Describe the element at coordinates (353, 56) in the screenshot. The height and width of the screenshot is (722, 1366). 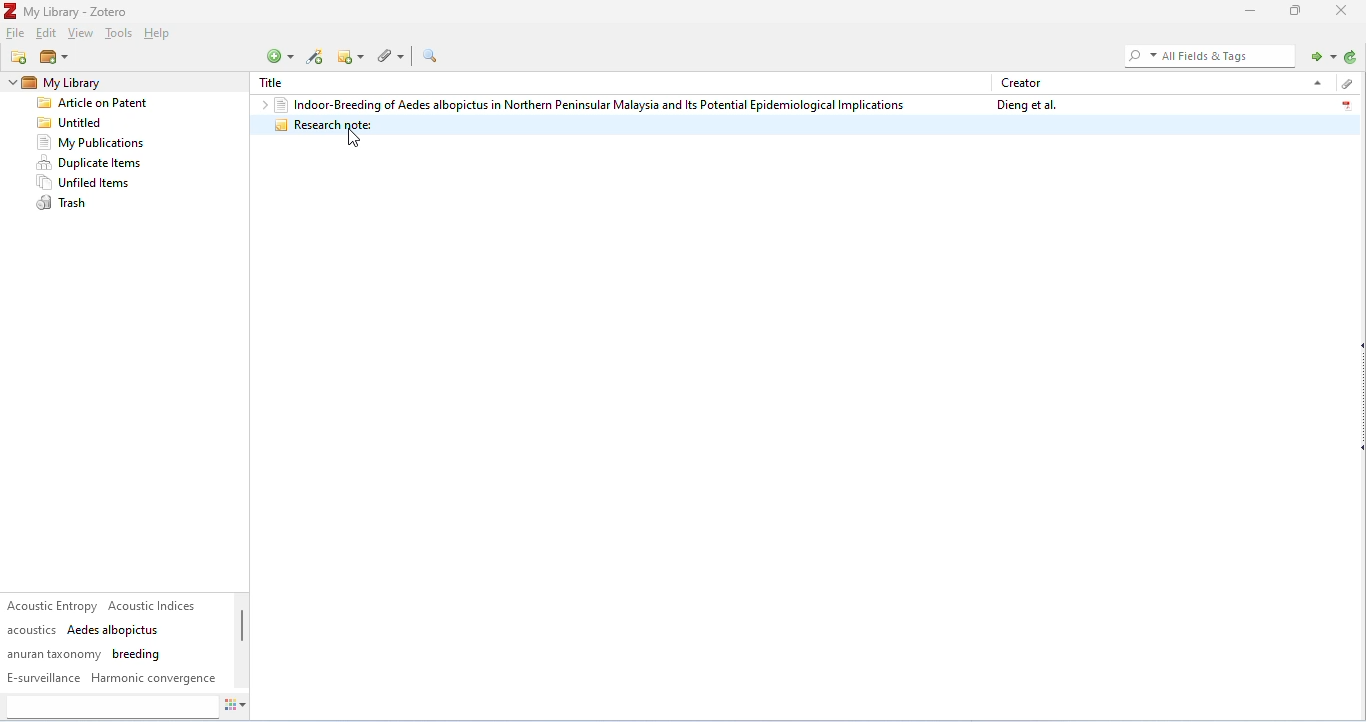
I see `new note` at that location.